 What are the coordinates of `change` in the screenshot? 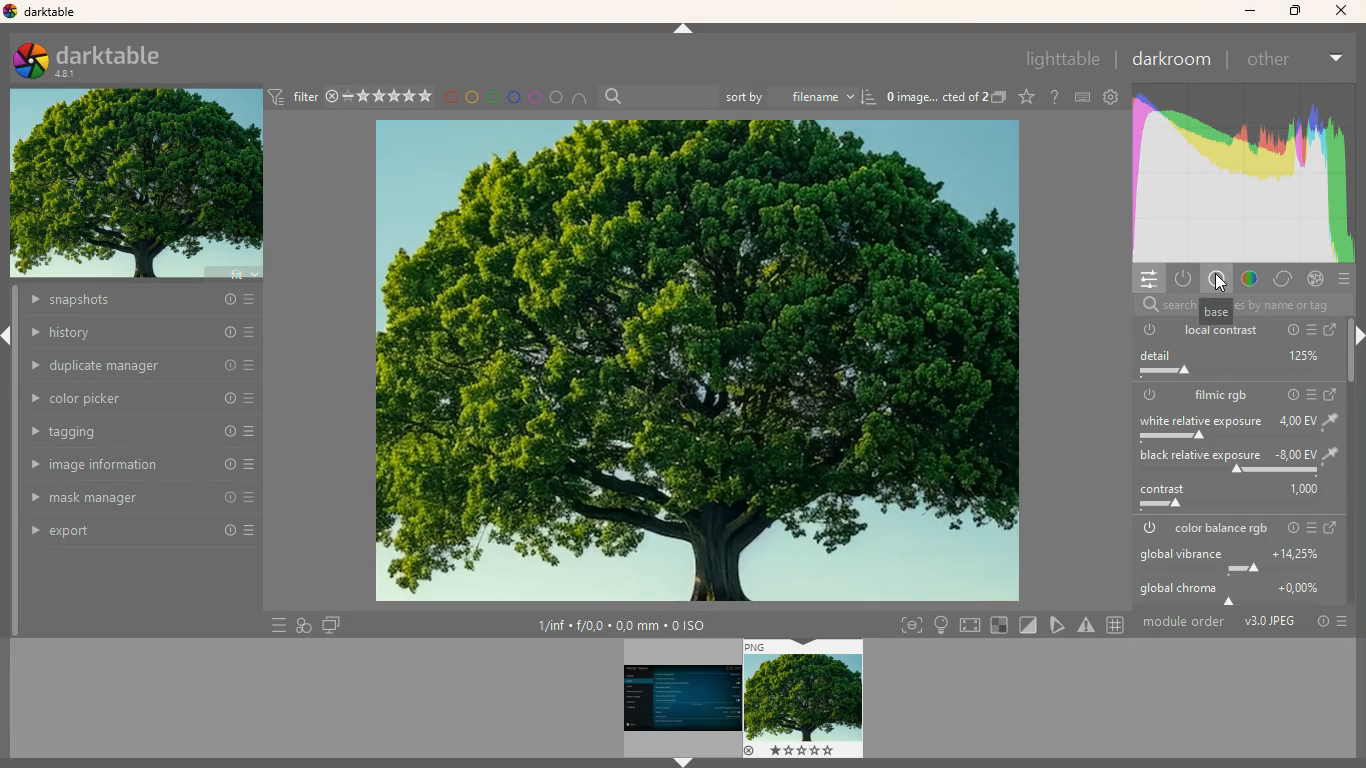 It's located at (1283, 280).